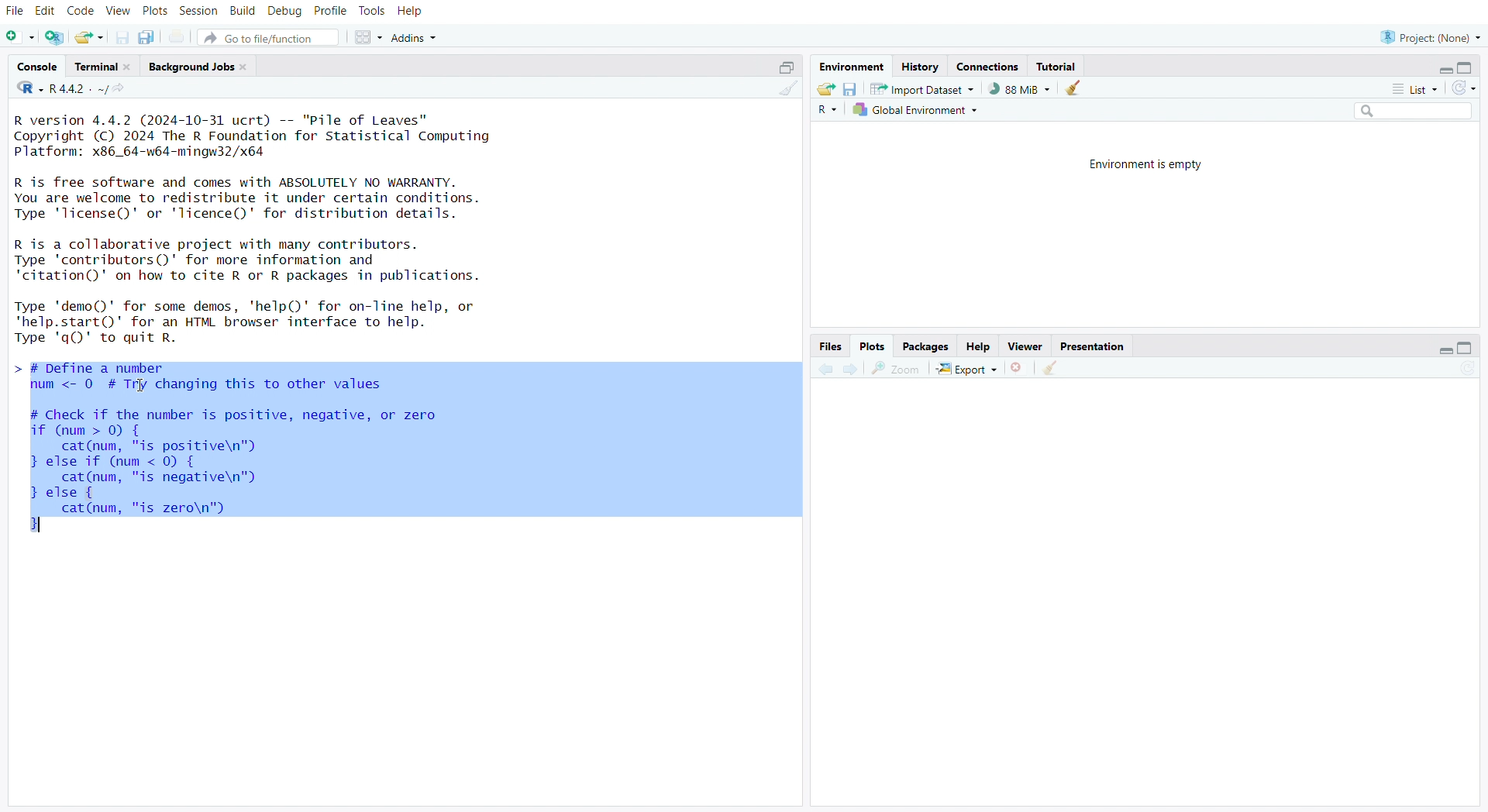 This screenshot has width=1488, height=812. I want to click on R 4.4.2, so click(63, 89).